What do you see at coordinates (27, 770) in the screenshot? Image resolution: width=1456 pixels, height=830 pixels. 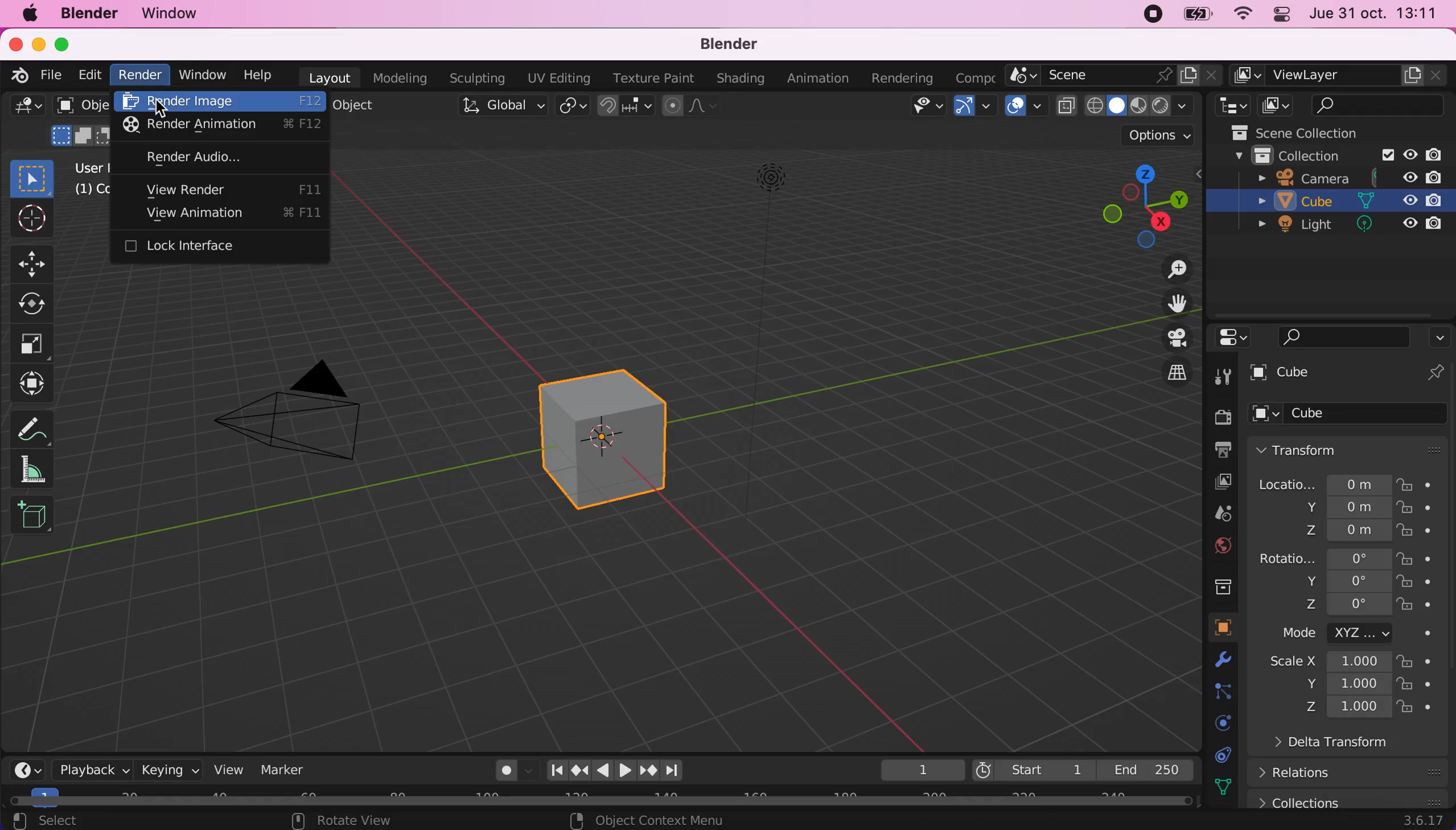 I see `editor type` at bounding box center [27, 770].